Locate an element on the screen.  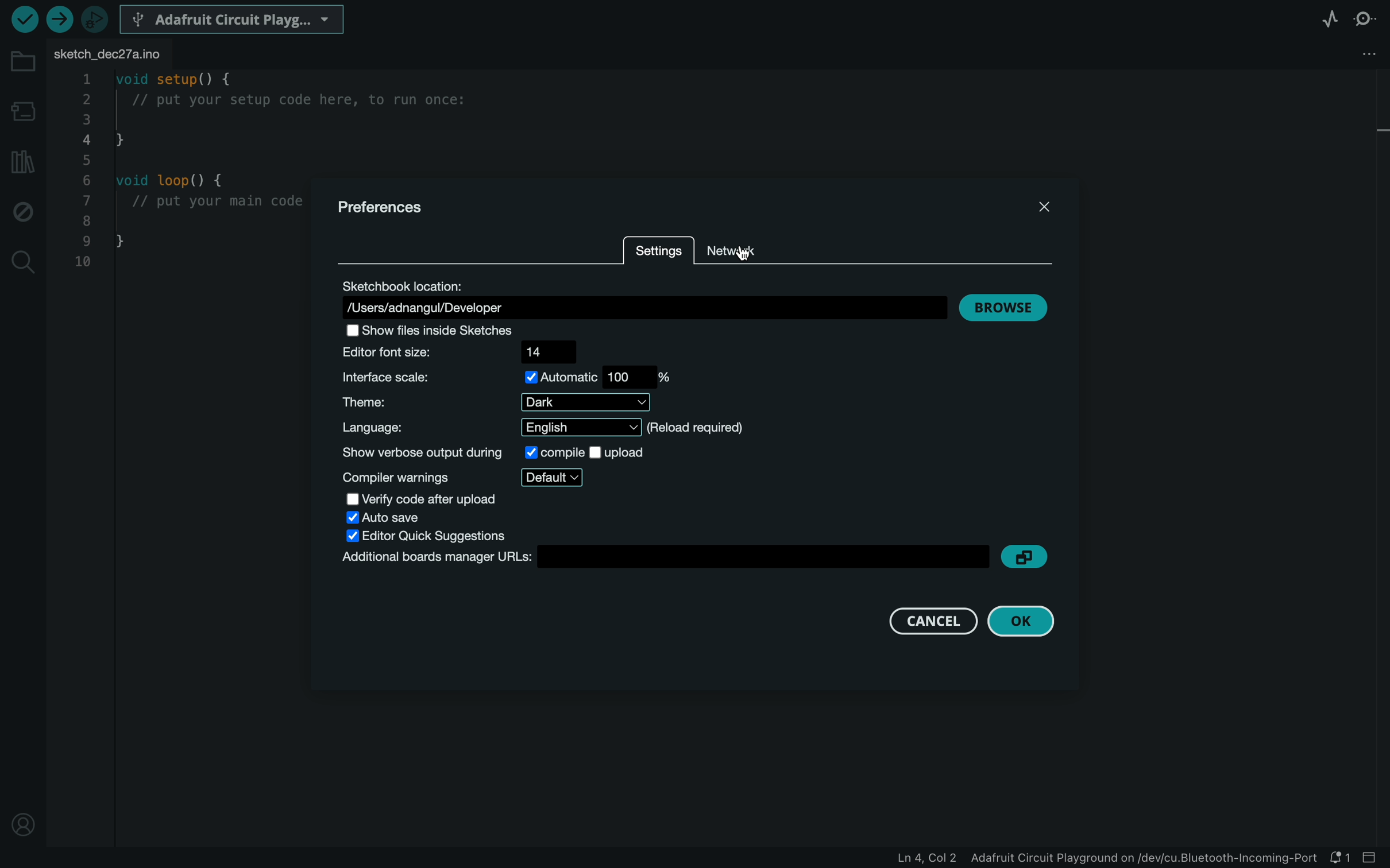
file information is located at coordinates (1091, 857).